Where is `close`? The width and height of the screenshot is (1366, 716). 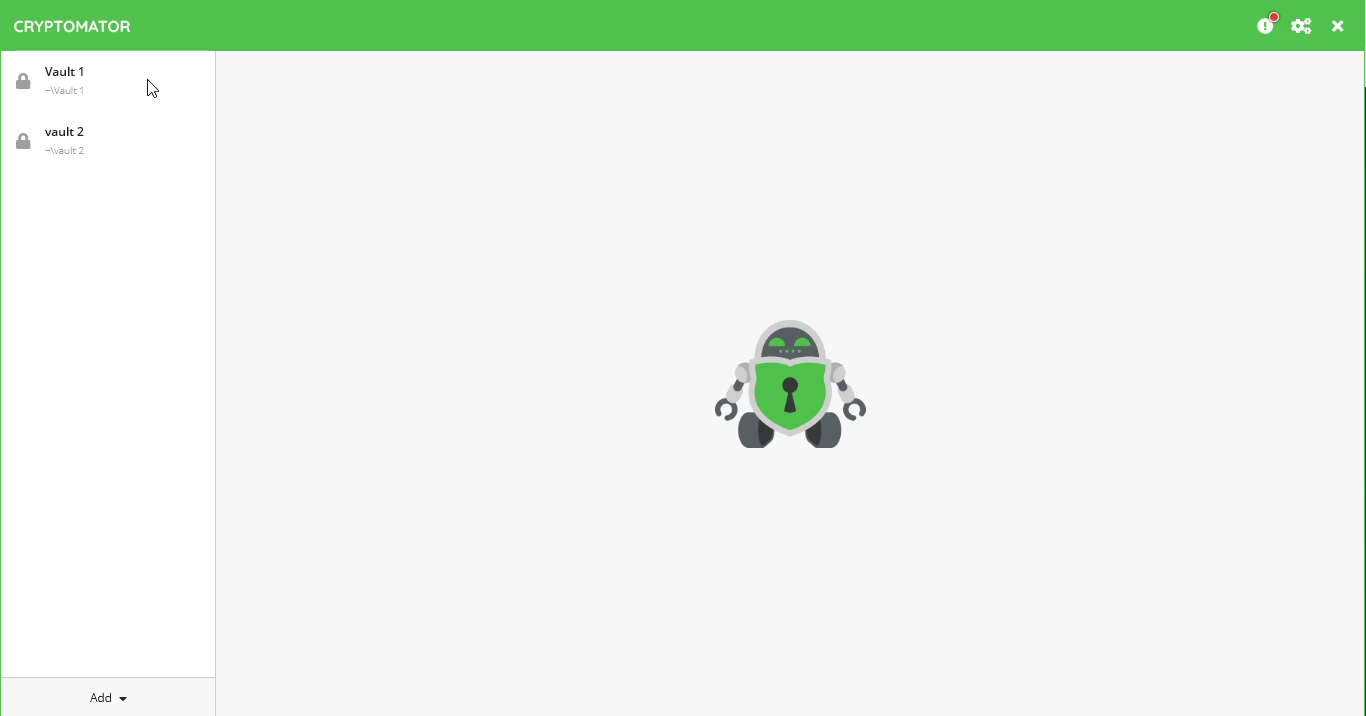
close is located at coordinates (1339, 27).